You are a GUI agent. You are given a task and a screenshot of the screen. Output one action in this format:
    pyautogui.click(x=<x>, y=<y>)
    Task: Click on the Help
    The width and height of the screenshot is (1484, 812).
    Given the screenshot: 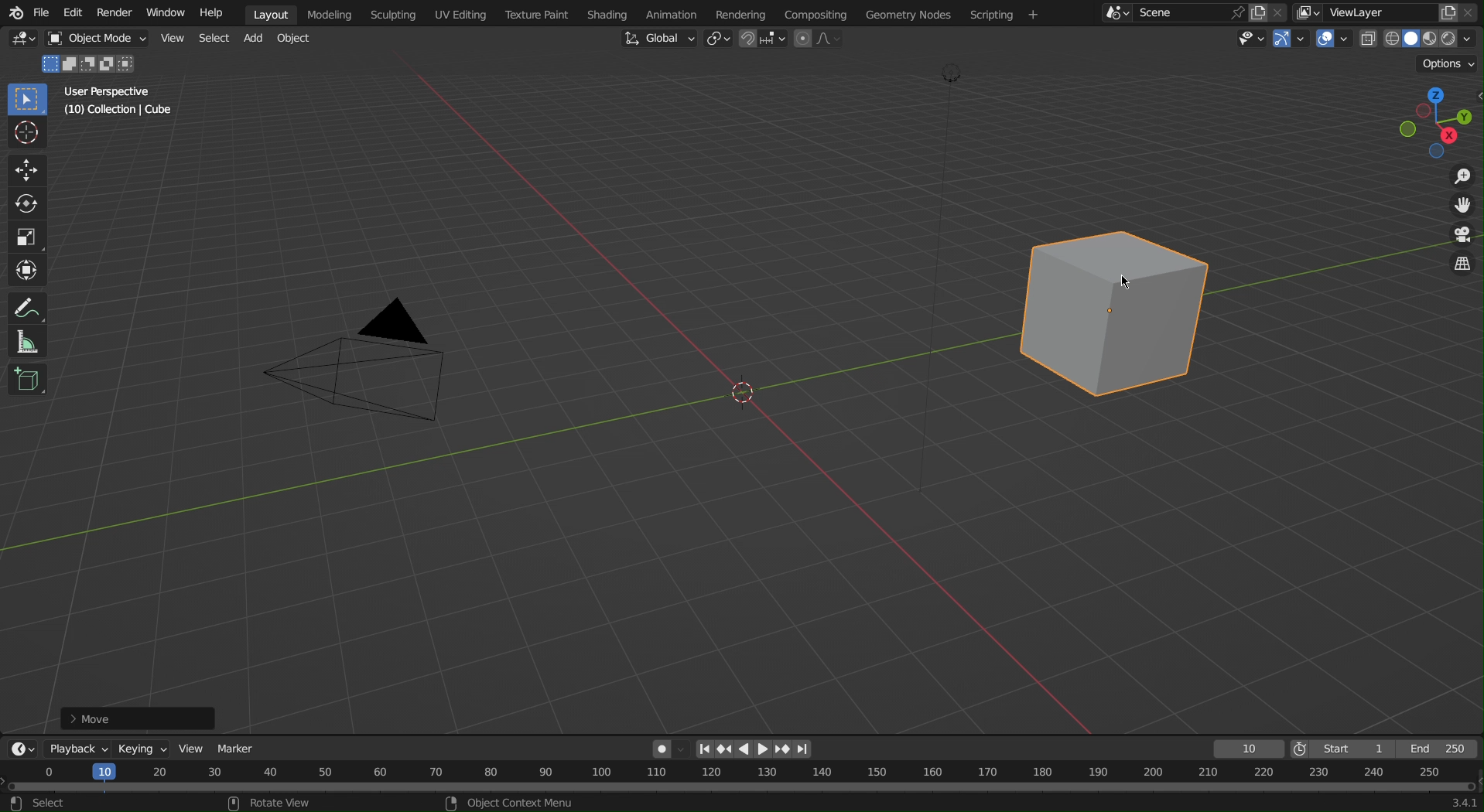 What is the action you would take?
    pyautogui.click(x=218, y=12)
    